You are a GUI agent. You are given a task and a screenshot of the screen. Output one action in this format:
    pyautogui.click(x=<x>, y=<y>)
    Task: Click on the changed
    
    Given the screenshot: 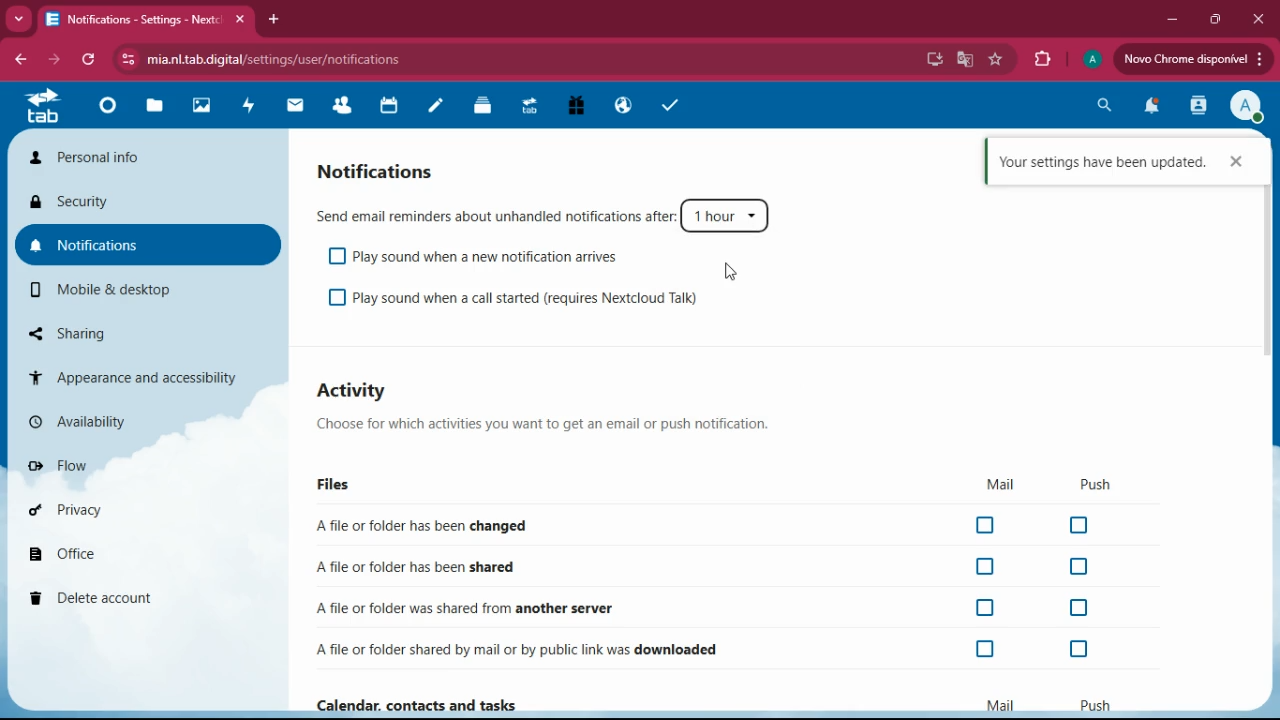 What is the action you would take?
    pyautogui.click(x=438, y=525)
    